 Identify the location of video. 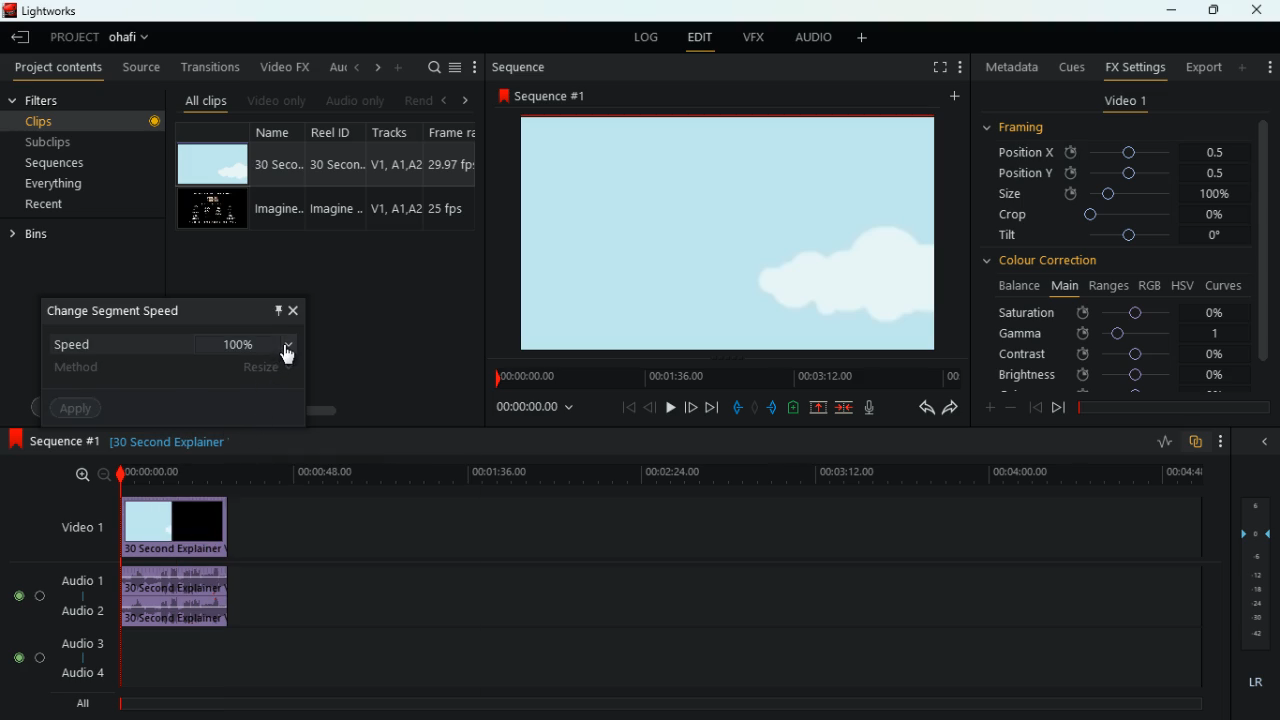
(215, 209).